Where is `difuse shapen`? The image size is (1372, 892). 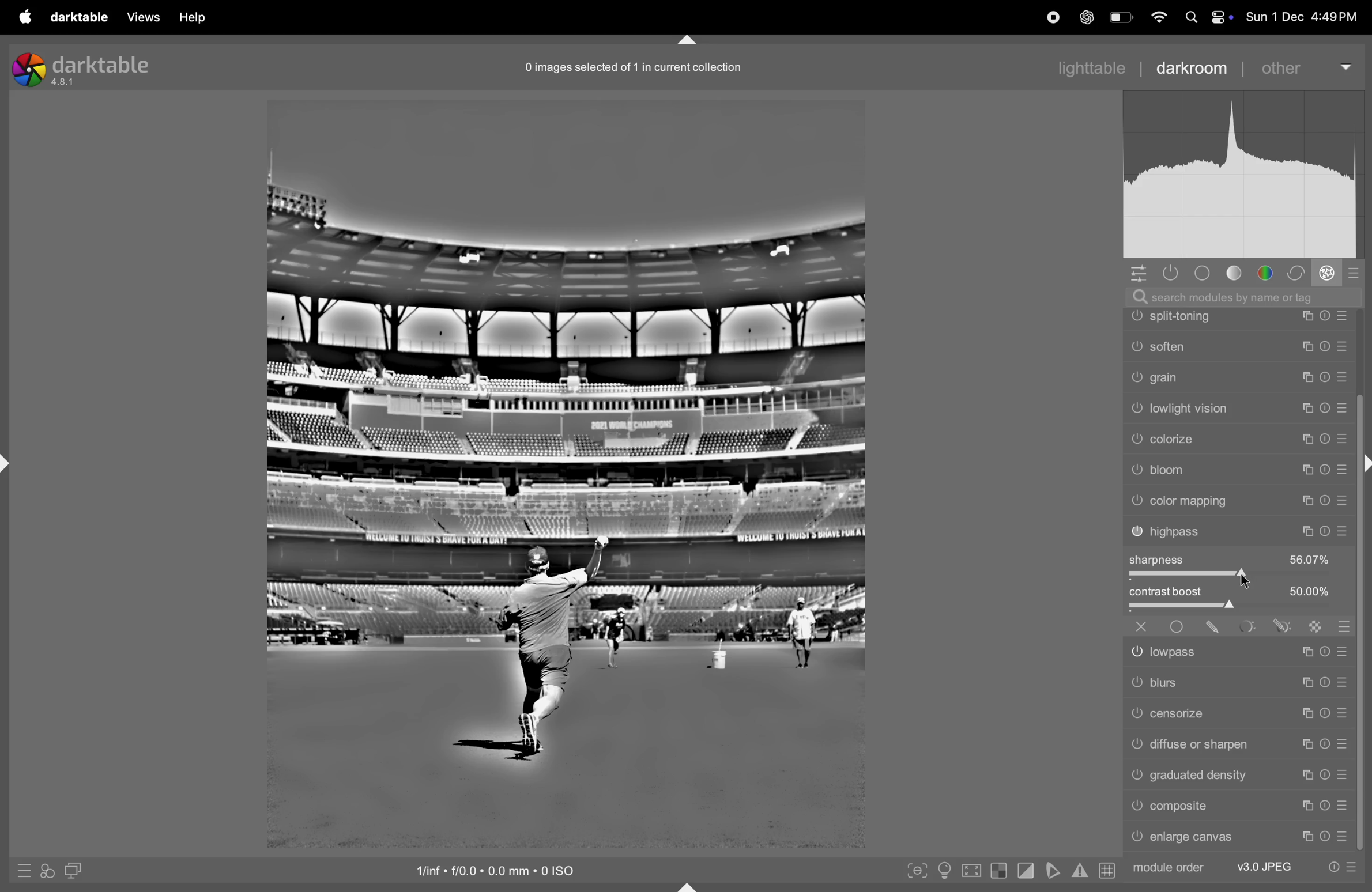 difuse shapen is located at coordinates (1236, 743).